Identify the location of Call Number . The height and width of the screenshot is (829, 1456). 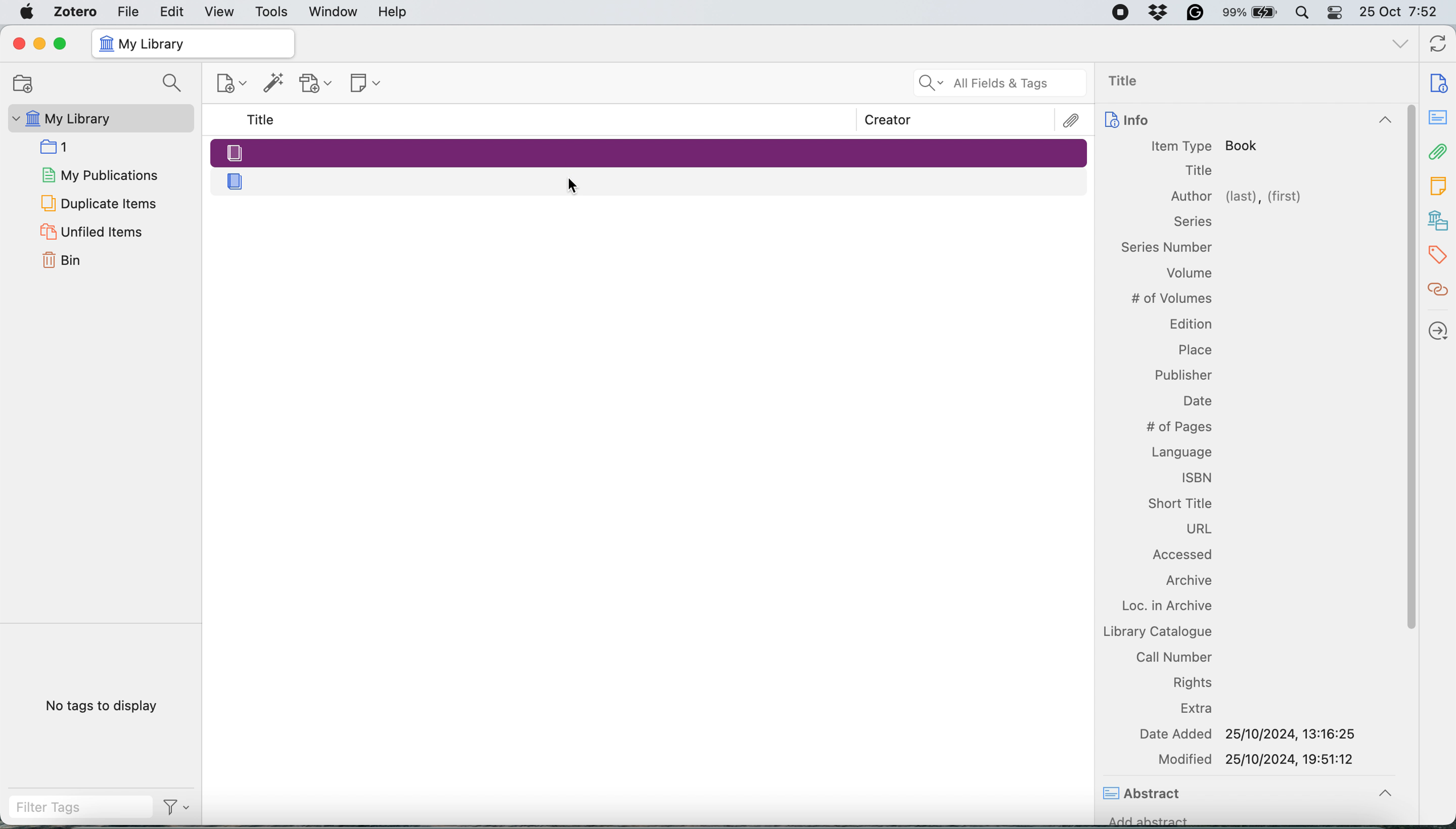
(1174, 656).